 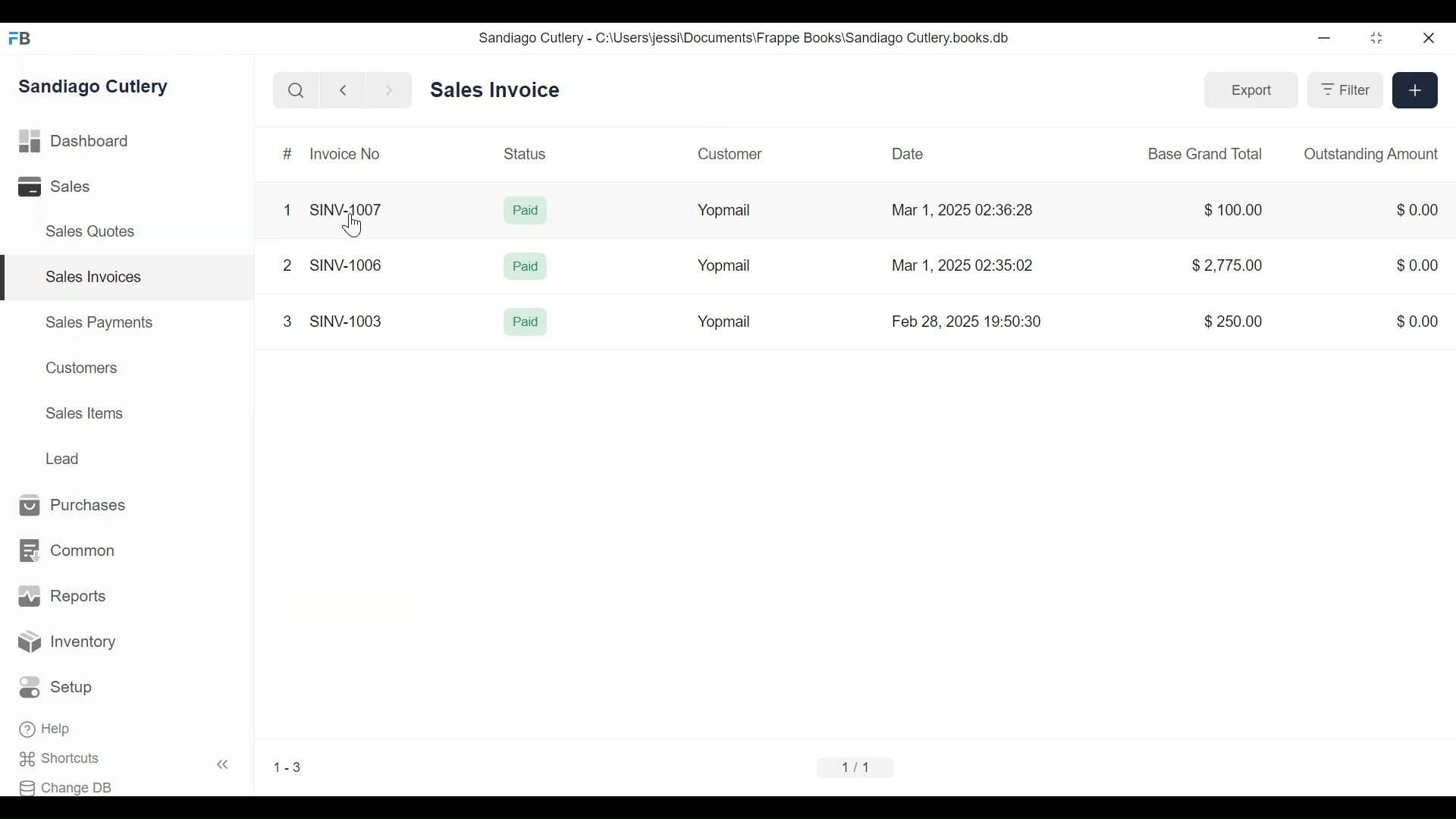 I want to click on $250.00, so click(x=1233, y=321).